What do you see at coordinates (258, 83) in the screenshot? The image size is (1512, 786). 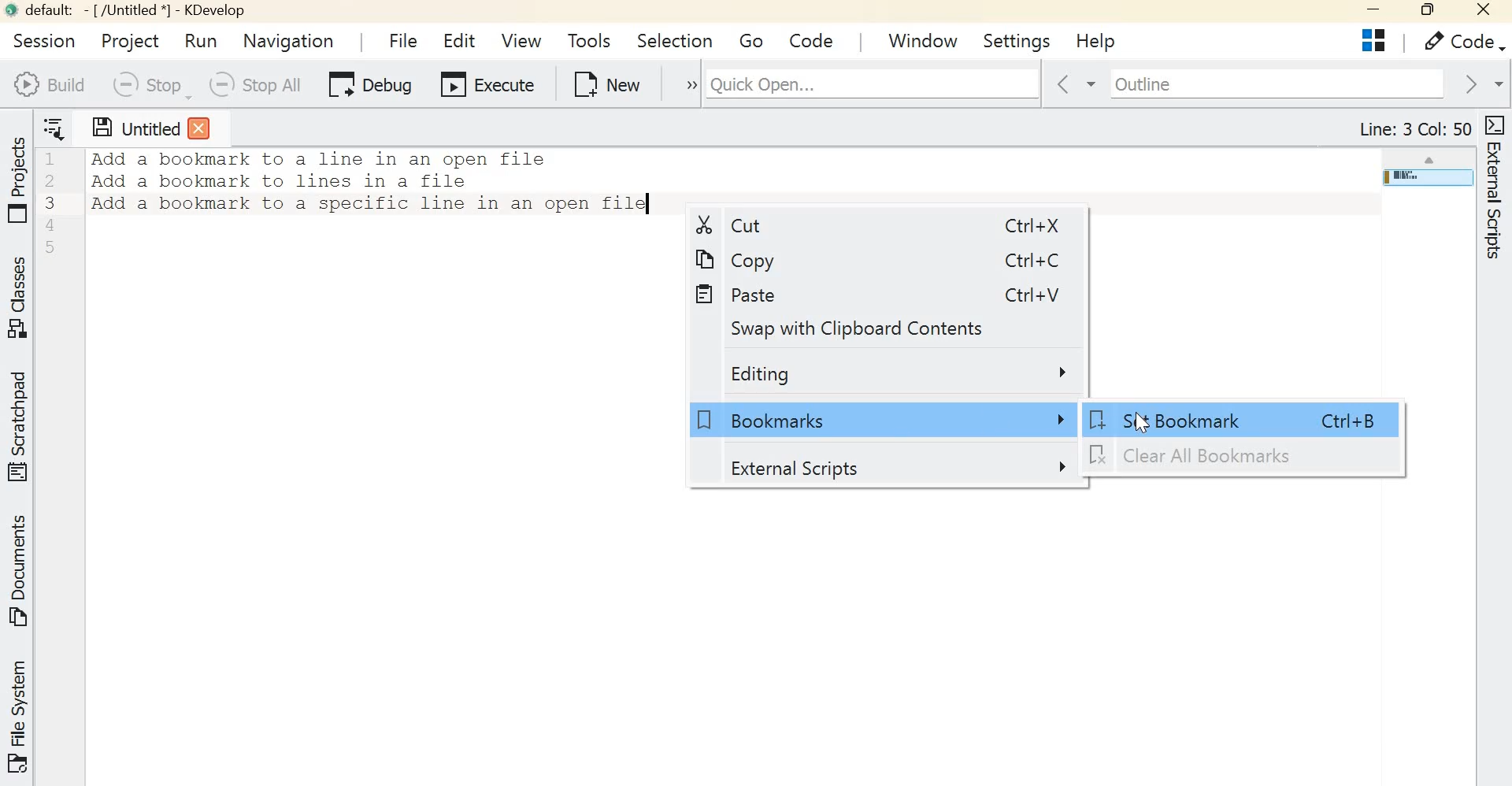 I see `Stop all` at bounding box center [258, 83].